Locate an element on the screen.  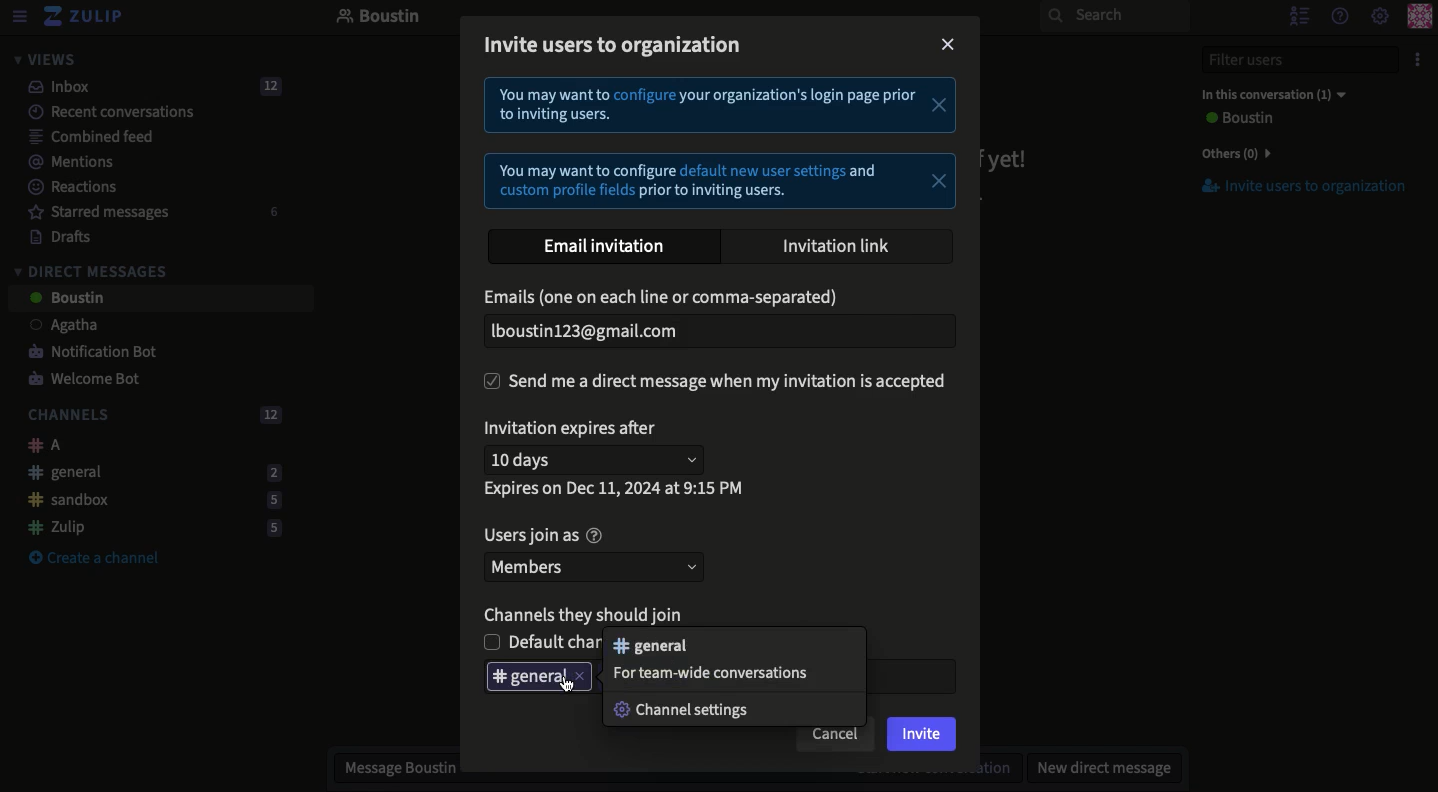
Sandbox is located at coordinates (147, 501).